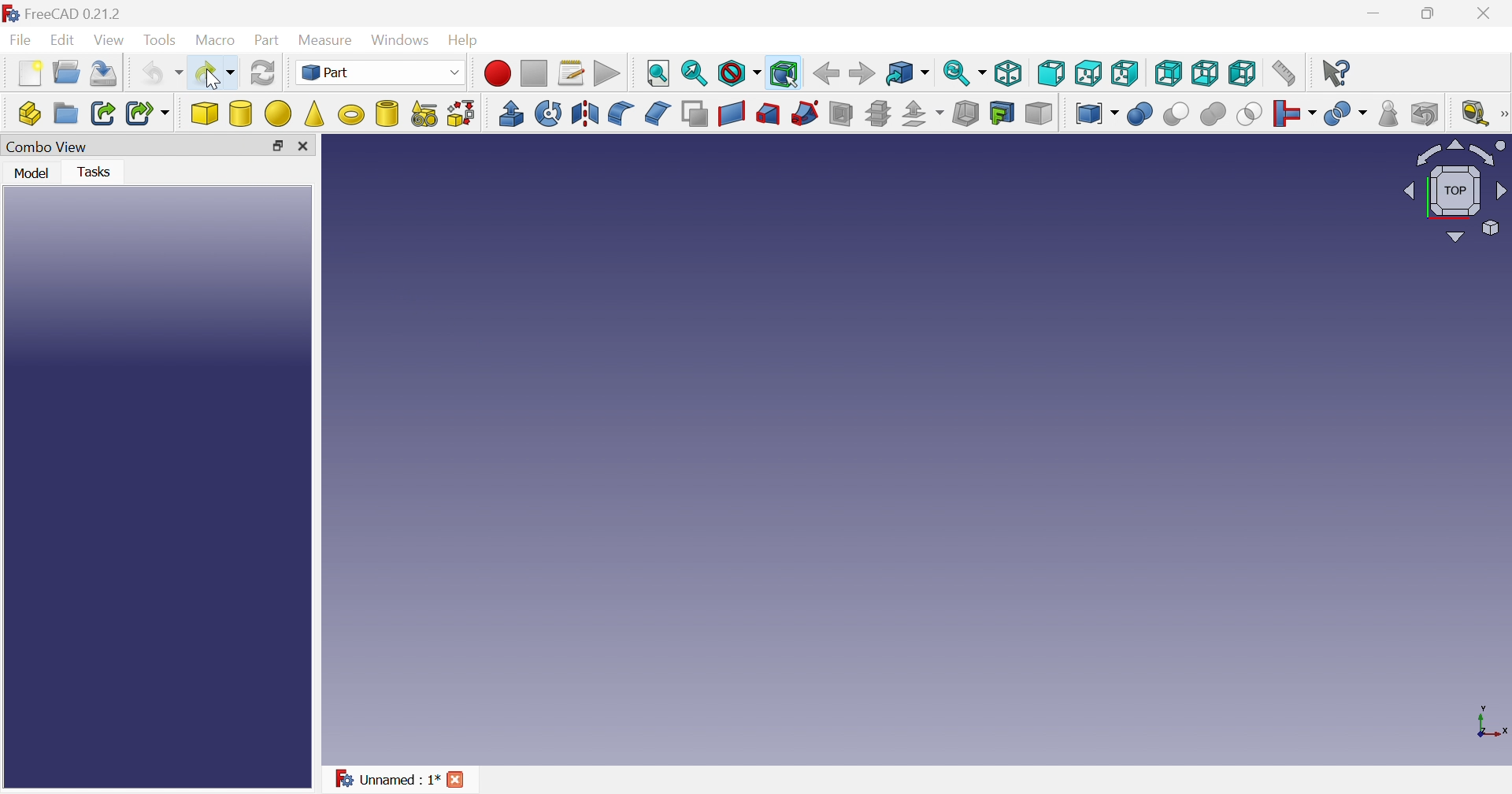  Describe the element at coordinates (1456, 195) in the screenshot. I see `Viewing angle` at that location.